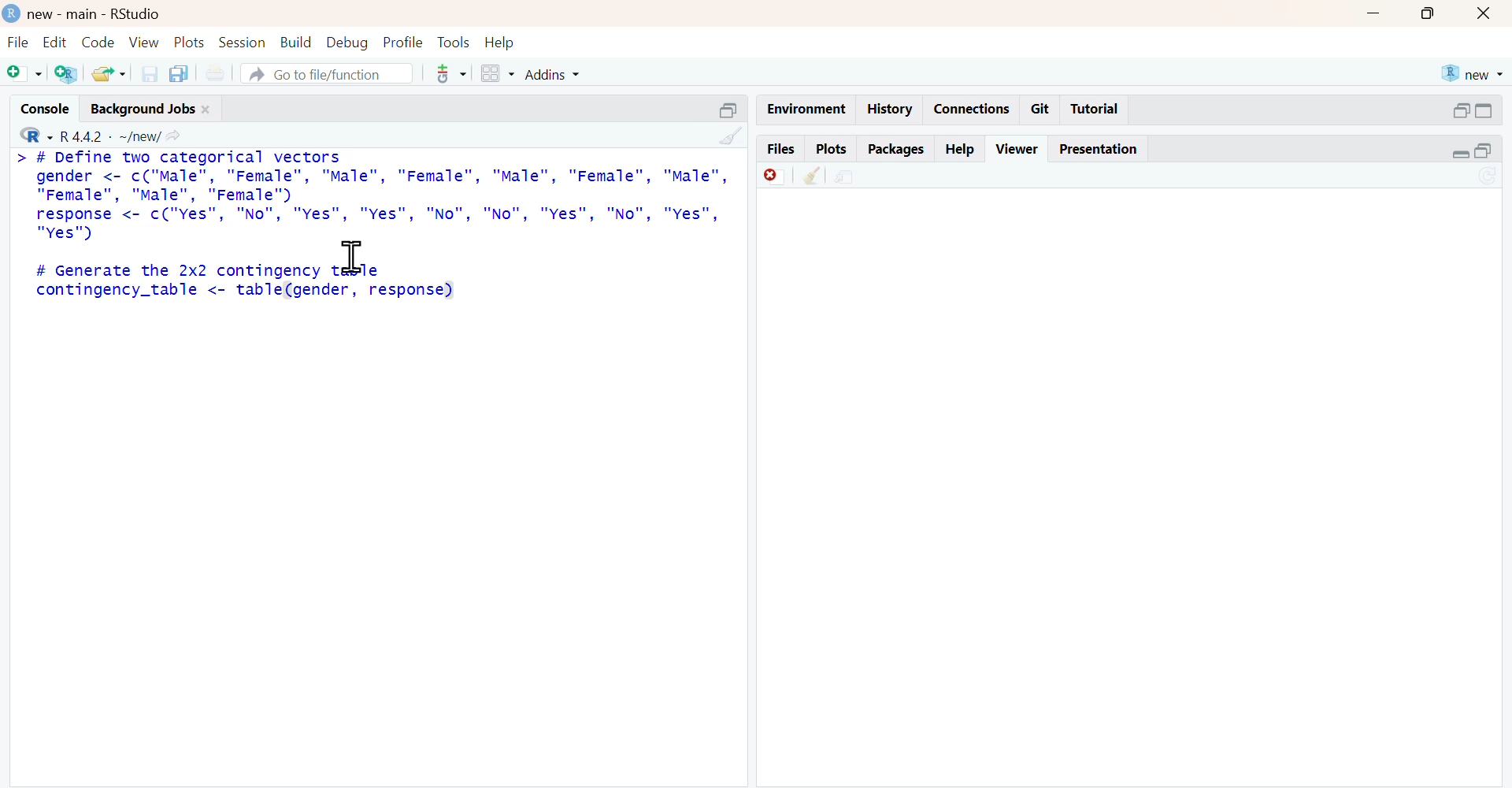 The image size is (1512, 788). Describe the element at coordinates (552, 75) in the screenshot. I see `addins` at that location.